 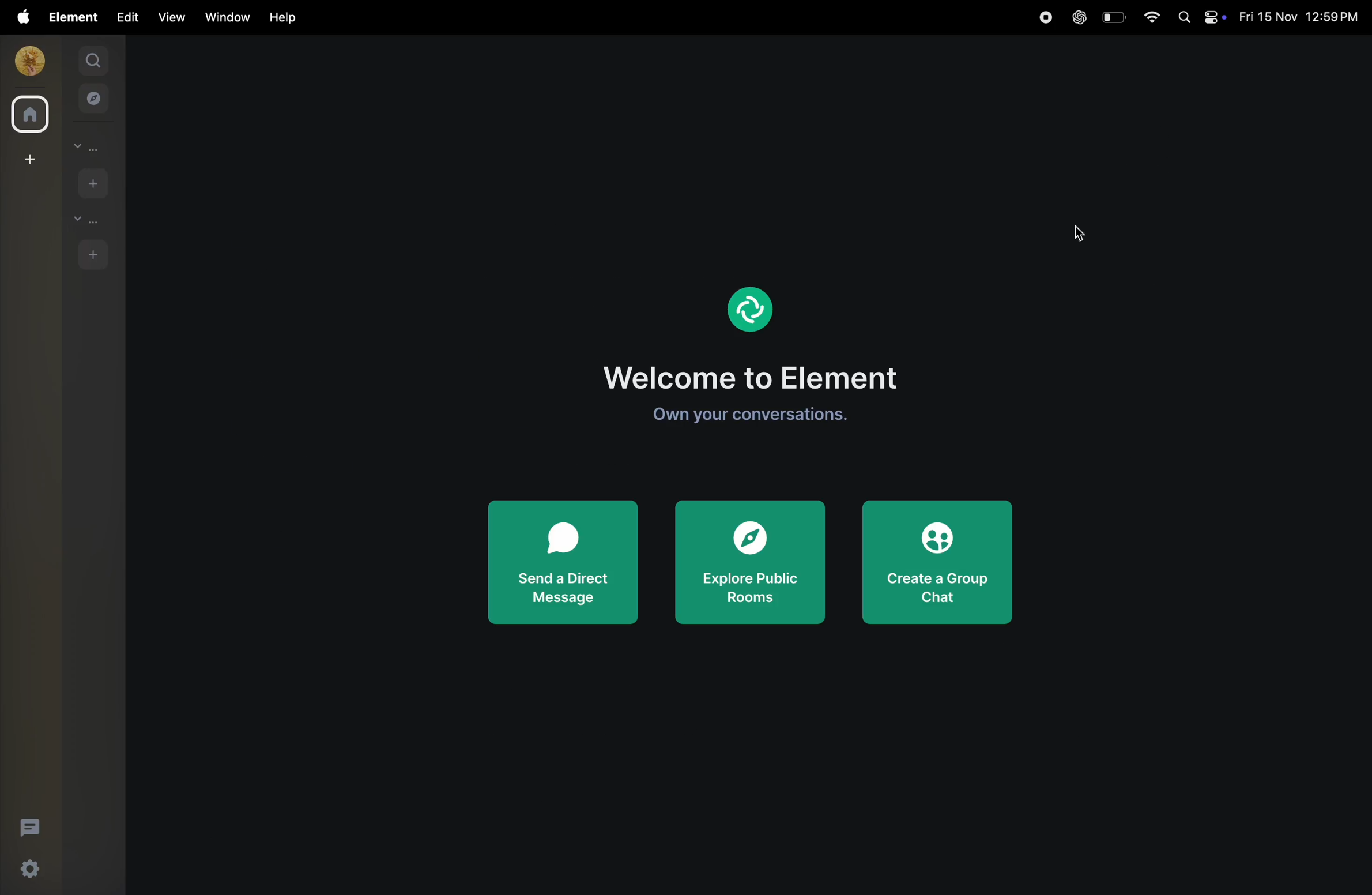 I want to click on get started, so click(x=752, y=419).